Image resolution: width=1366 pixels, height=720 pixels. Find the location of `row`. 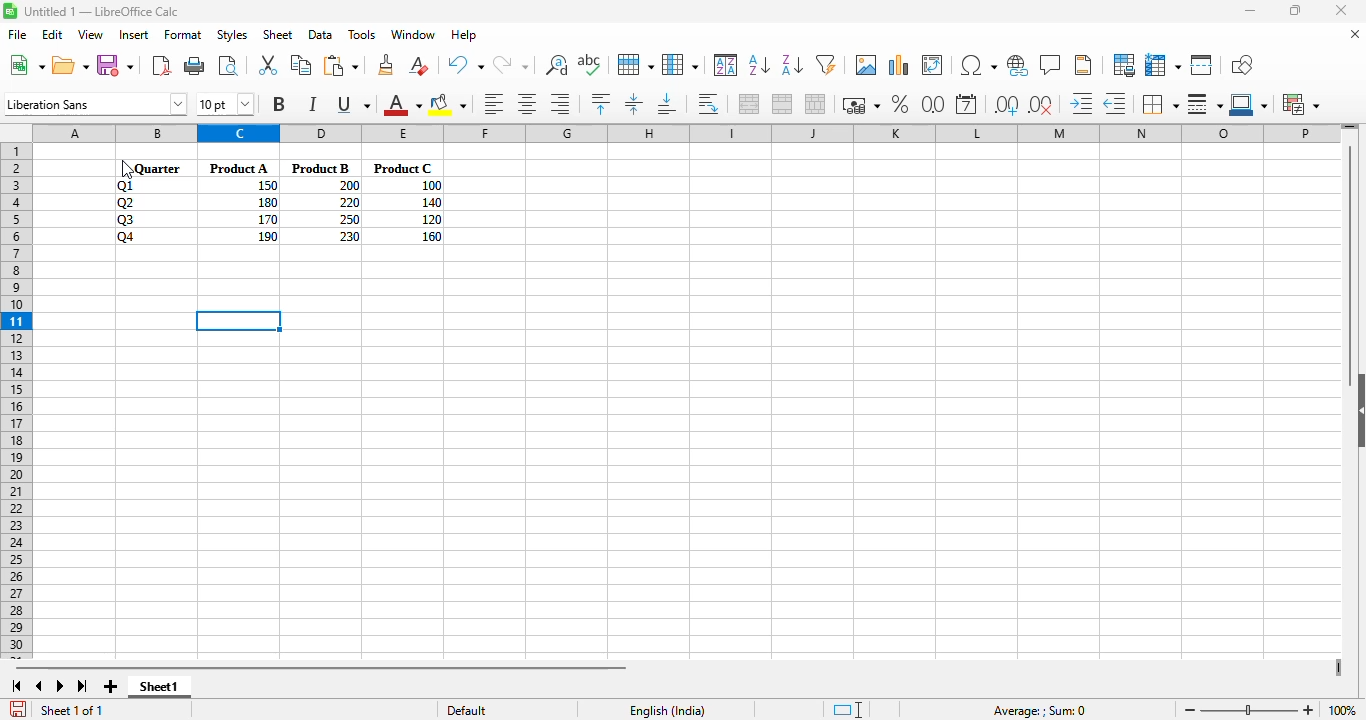

row is located at coordinates (636, 65).